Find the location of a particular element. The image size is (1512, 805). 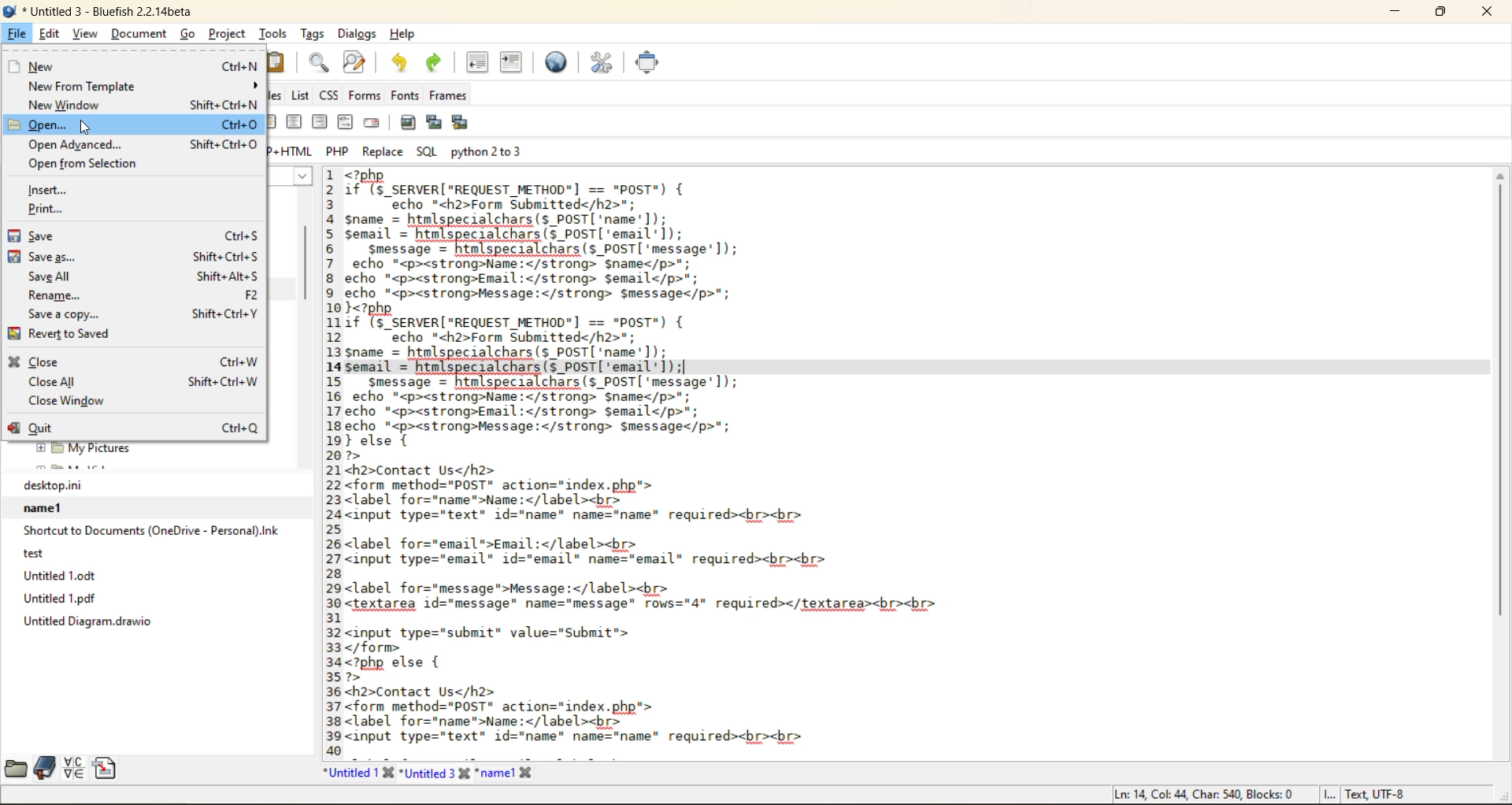

desktop.ini is located at coordinates (157, 485).